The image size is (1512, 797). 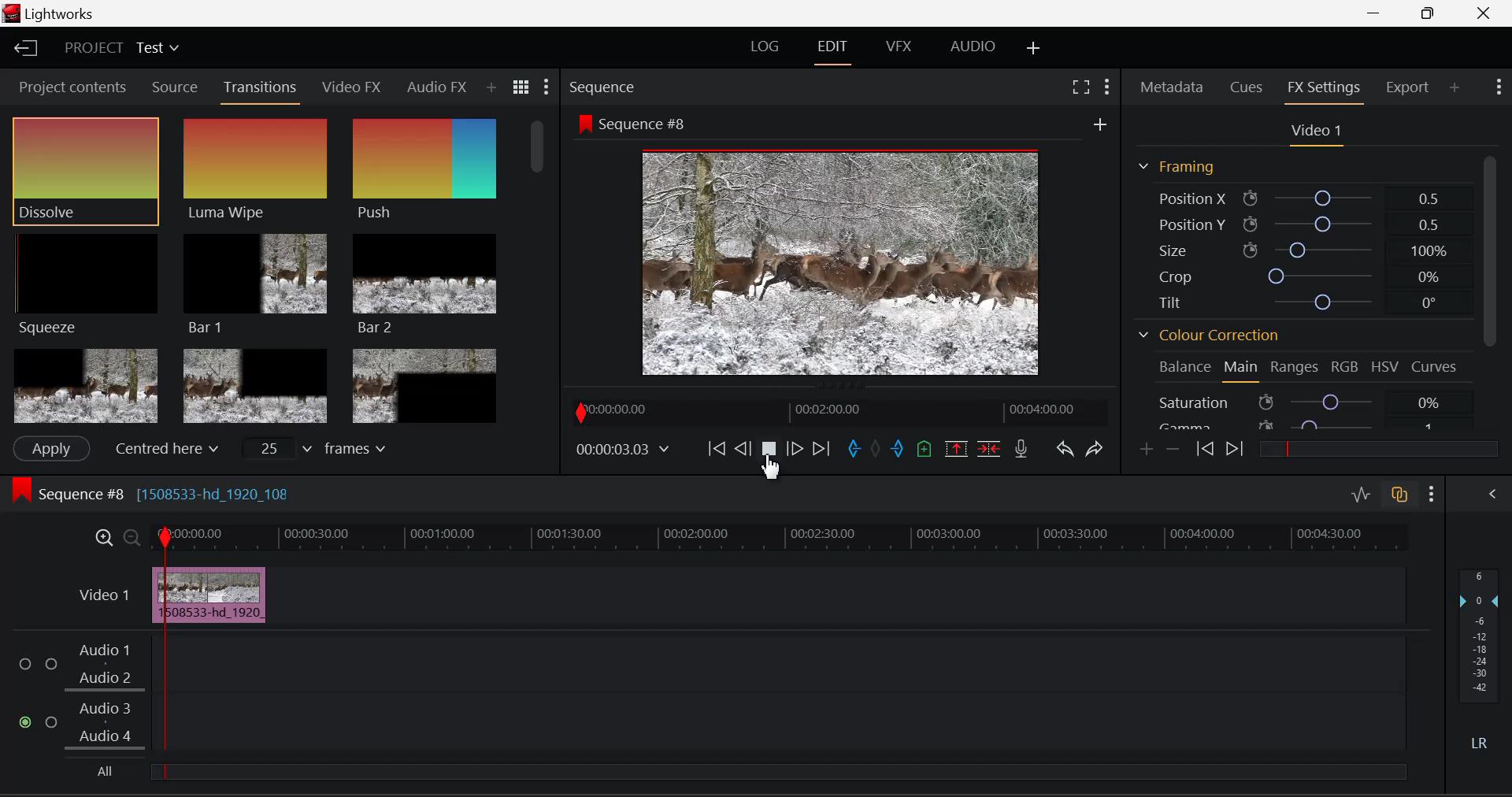 What do you see at coordinates (165, 447) in the screenshot?
I see `Centered here` at bounding box center [165, 447].